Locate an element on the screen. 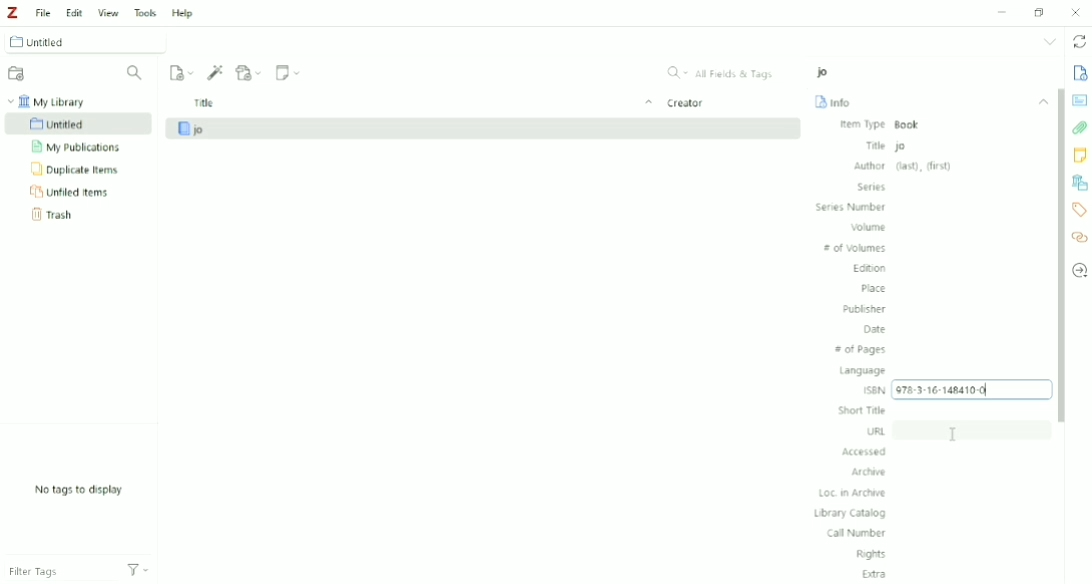 Image resolution: width=1092 pixels, height=584 pixels. Place is located at coordinates (873, 288).